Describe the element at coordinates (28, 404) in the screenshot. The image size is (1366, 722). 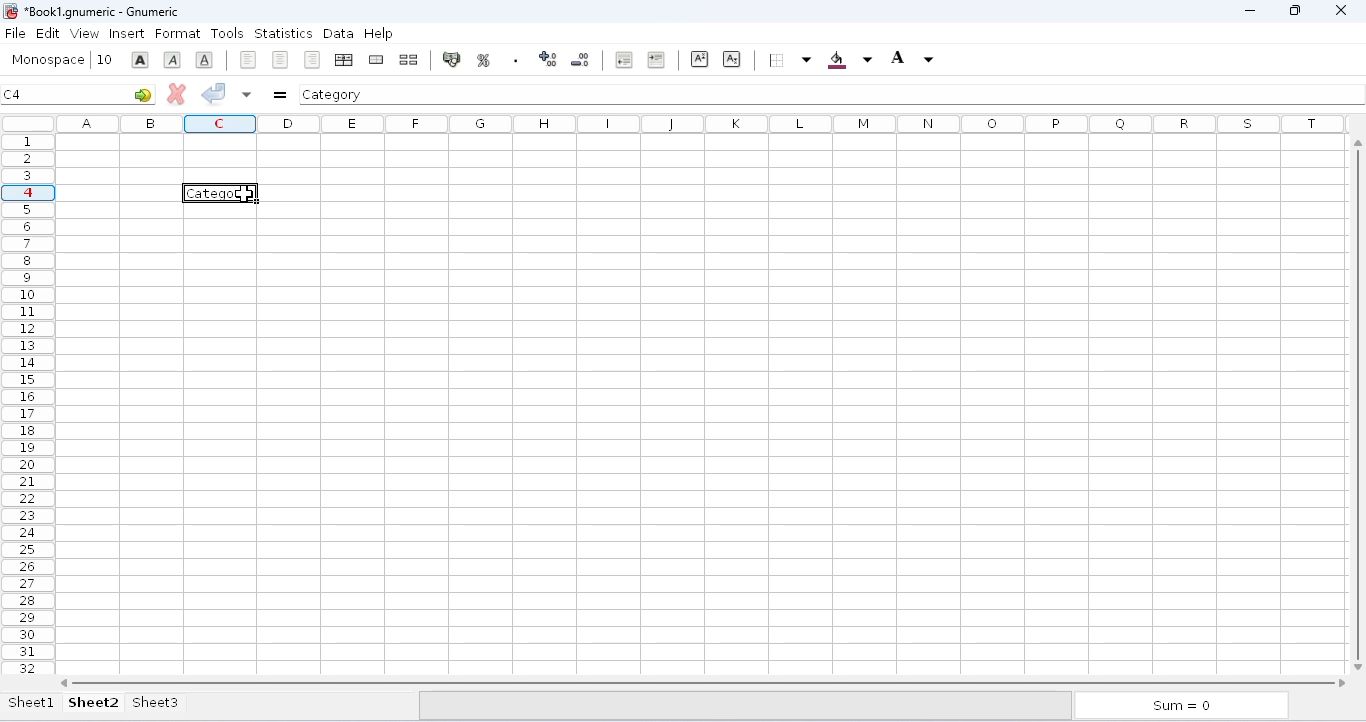
I see `rows` at that location.